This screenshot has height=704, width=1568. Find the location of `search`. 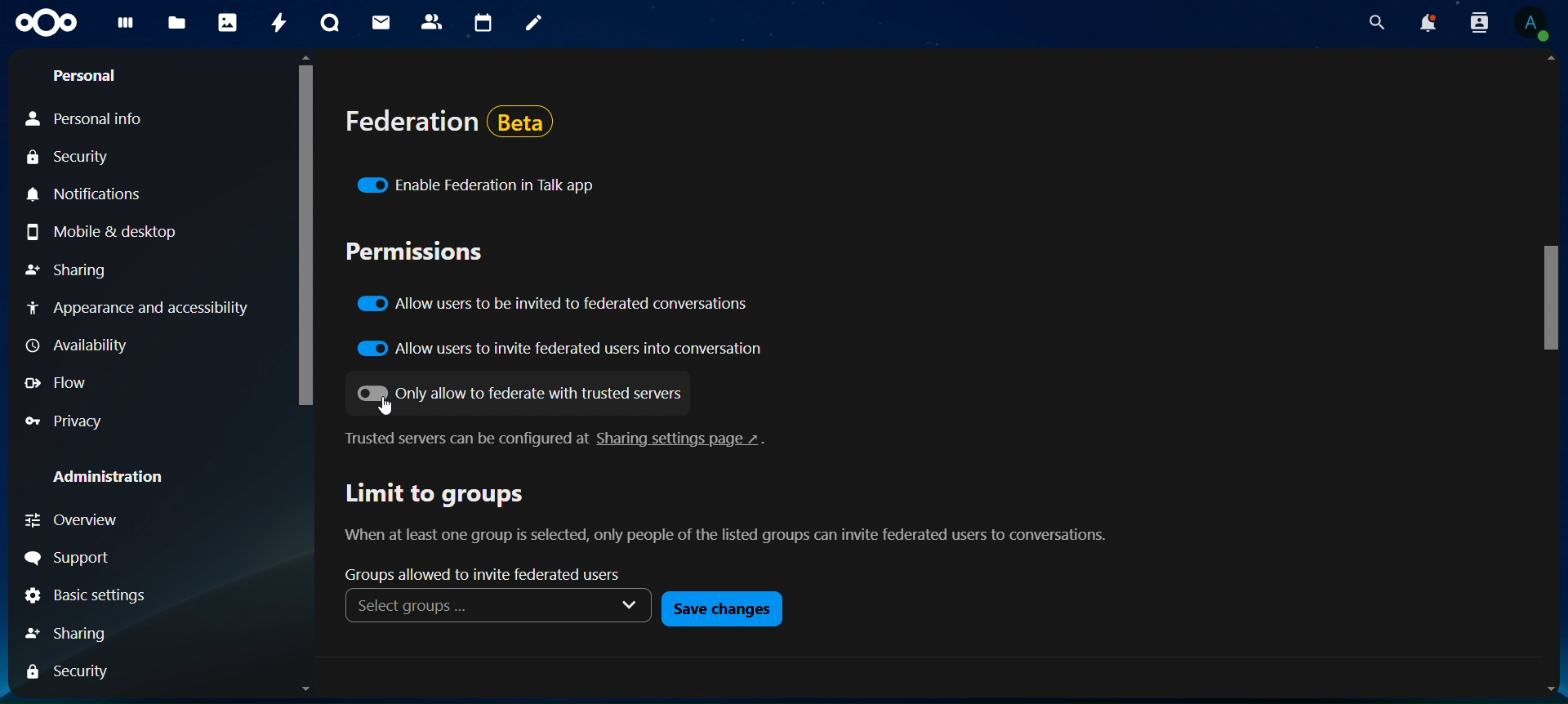

search is located at coordinates (1379, 23).